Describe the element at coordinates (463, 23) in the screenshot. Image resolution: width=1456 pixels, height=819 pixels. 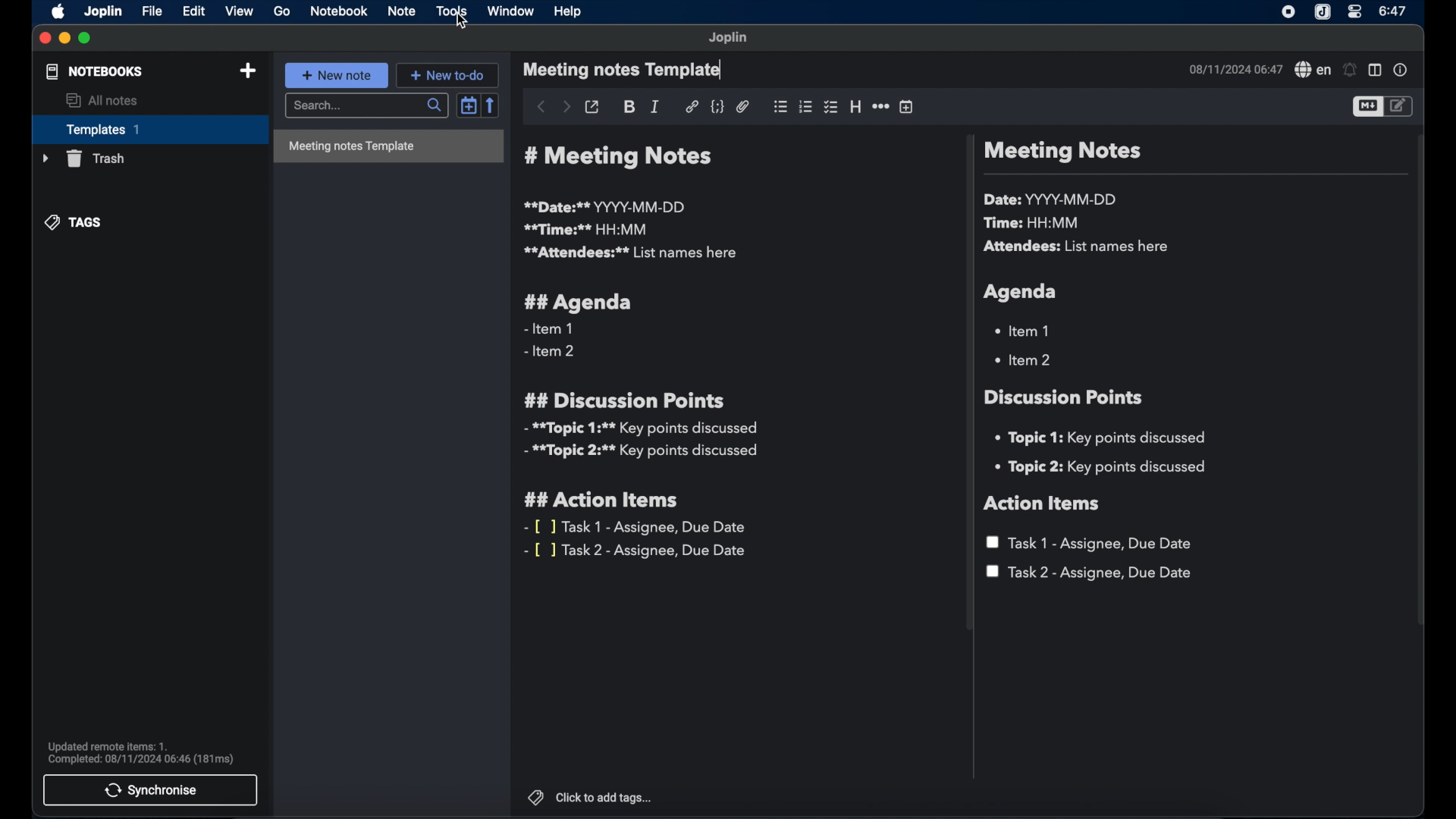
I see `cursor` at that location.